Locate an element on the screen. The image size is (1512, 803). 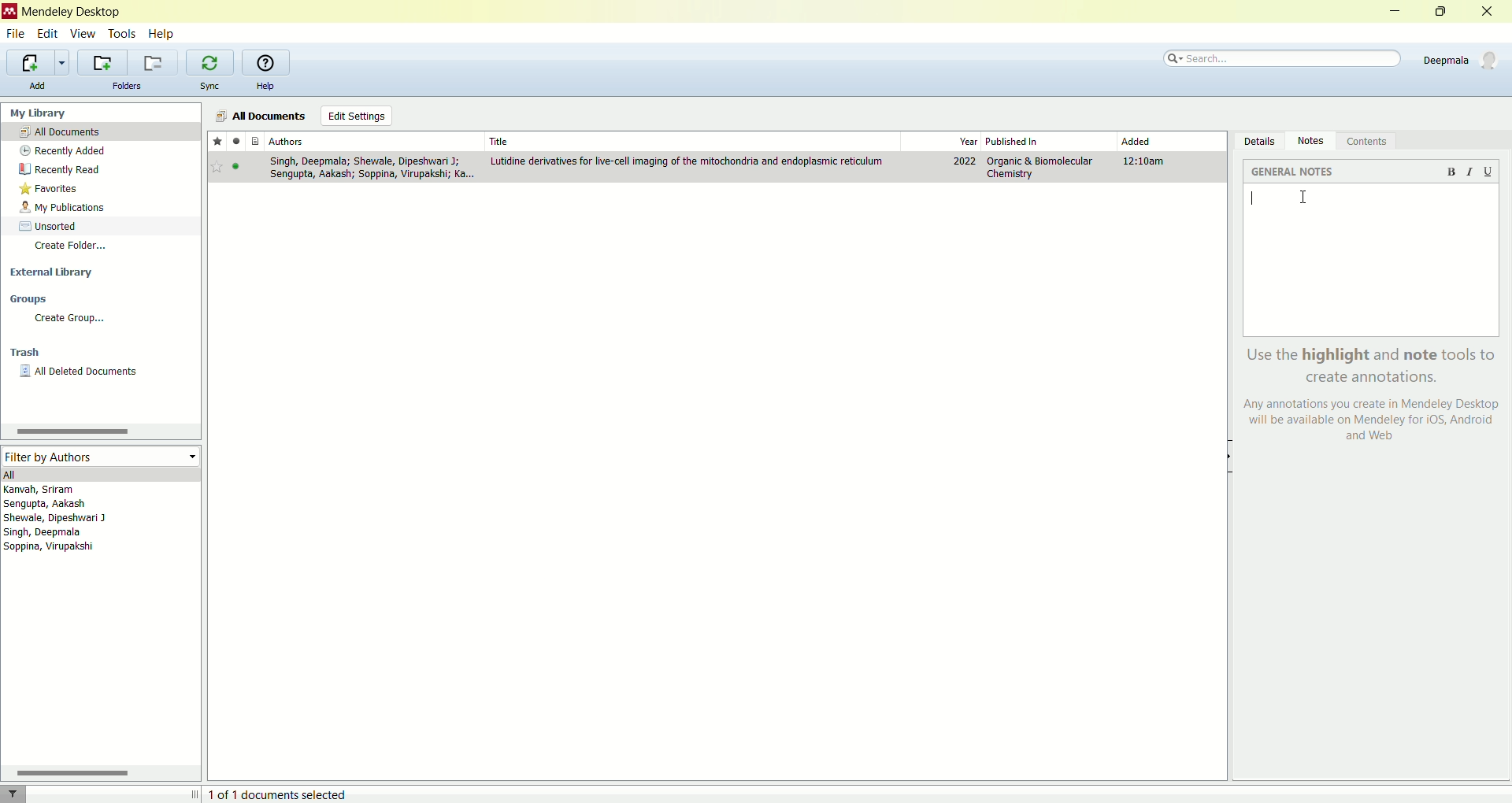
add is located at coordinates (38, 86).